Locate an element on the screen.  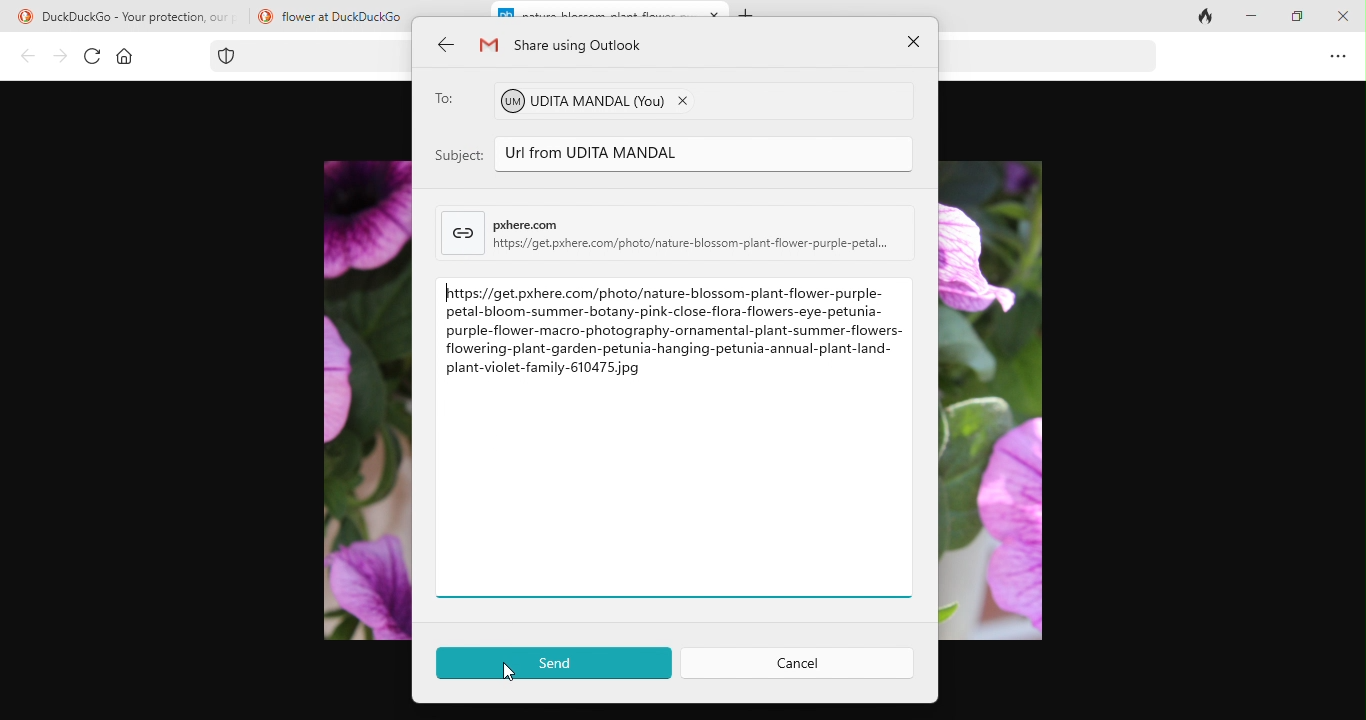
 pherecomhitpsi/get pxhere.com/photo/nature-blossom-plant-flower-purple-petal.. is located at coordinates (705, 235).